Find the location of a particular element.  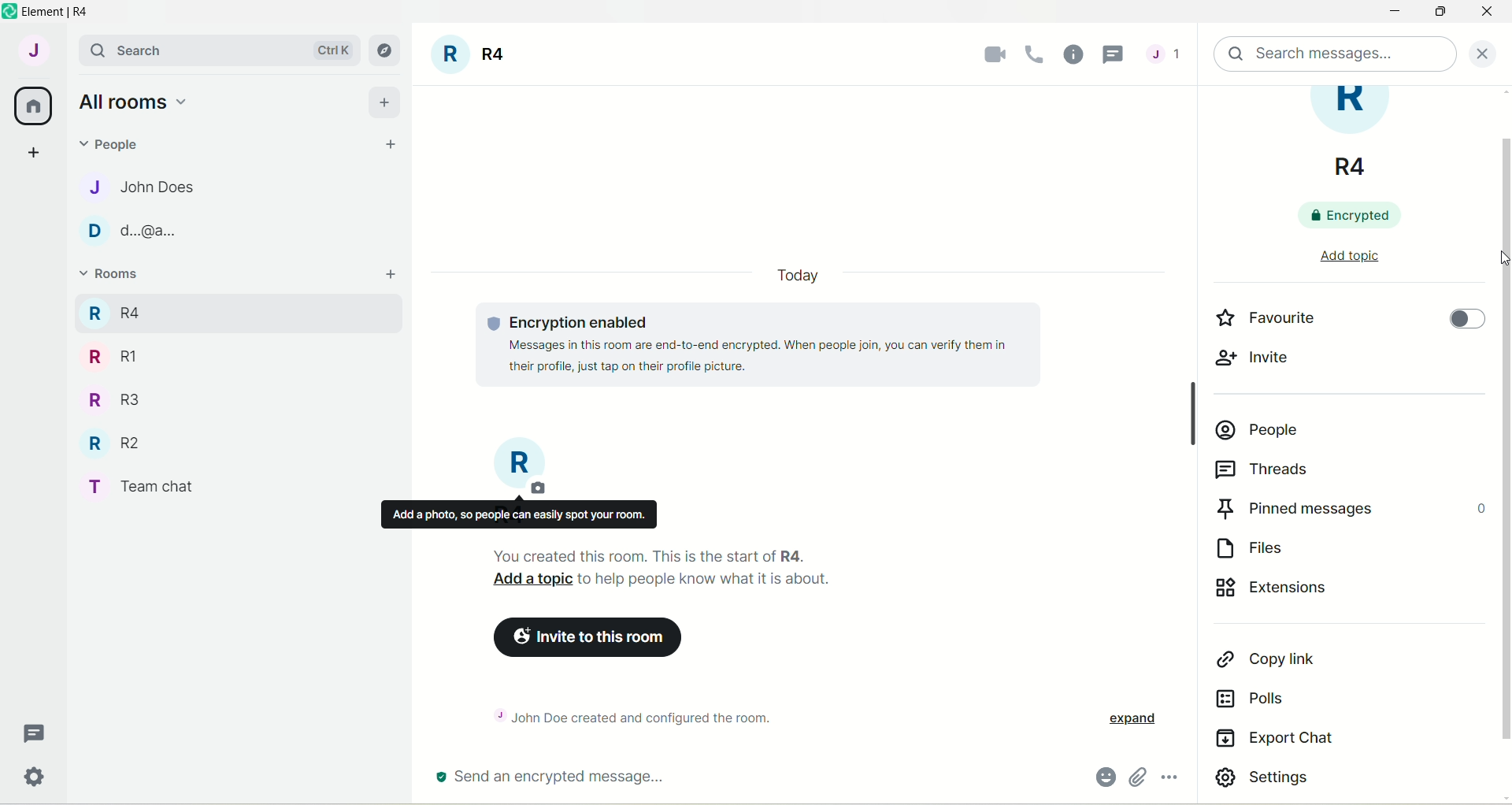

vertical scroll bar is located at coordinates (1503, 445).